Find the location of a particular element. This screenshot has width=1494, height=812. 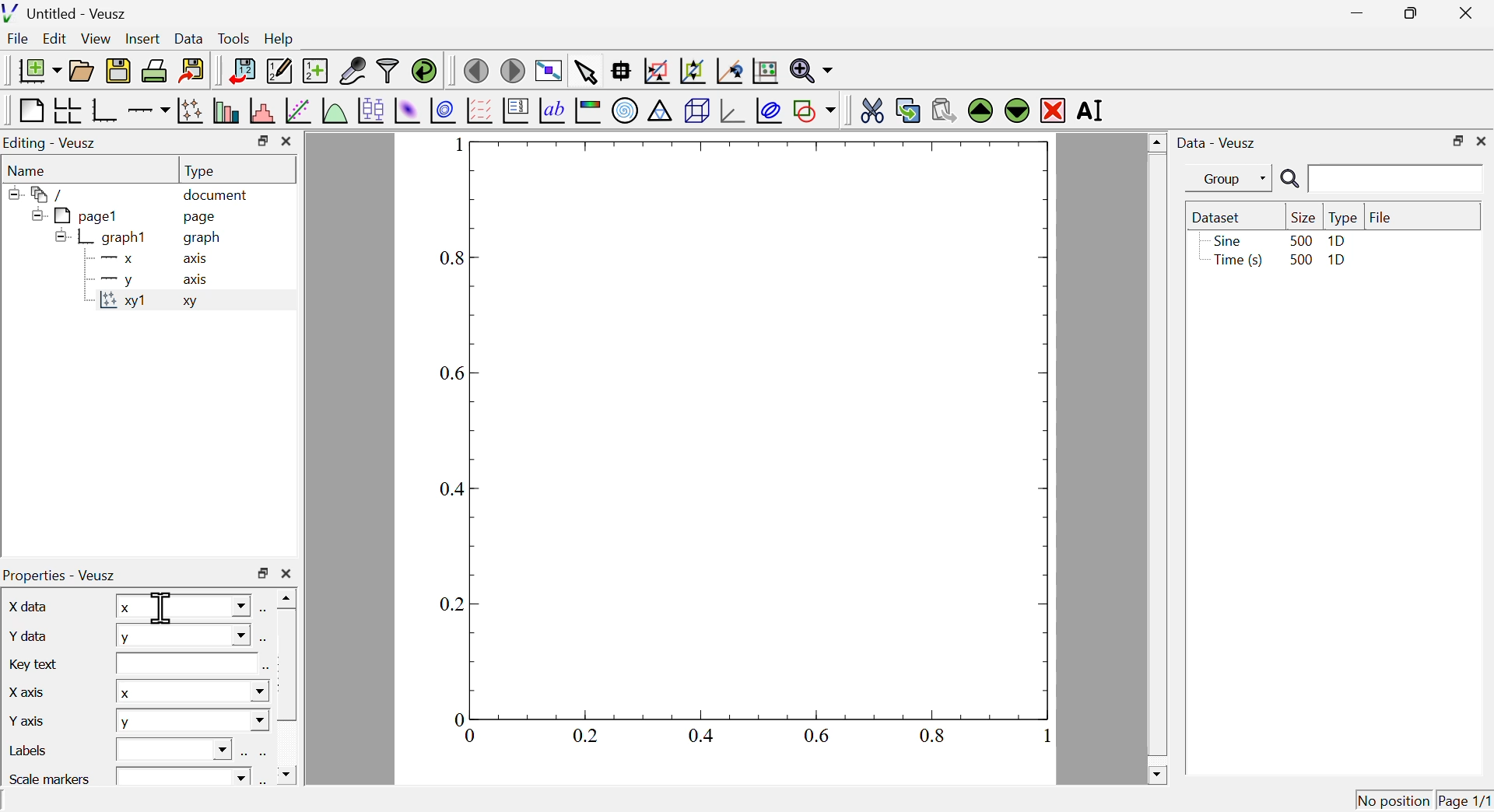

text label is located at coordinates (552, 113).